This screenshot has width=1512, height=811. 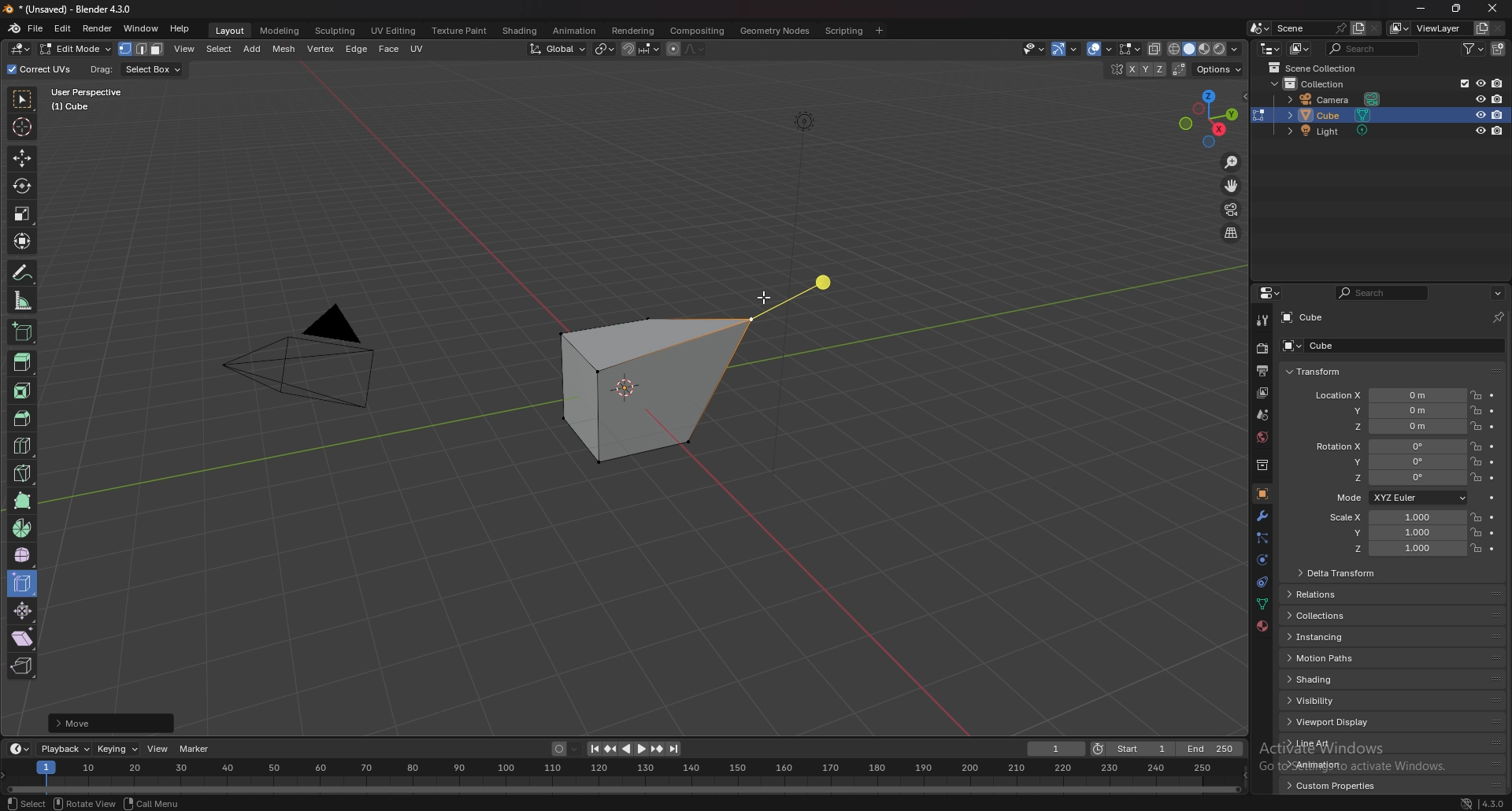 I want to click on rip region, so click(x=23, y=665).